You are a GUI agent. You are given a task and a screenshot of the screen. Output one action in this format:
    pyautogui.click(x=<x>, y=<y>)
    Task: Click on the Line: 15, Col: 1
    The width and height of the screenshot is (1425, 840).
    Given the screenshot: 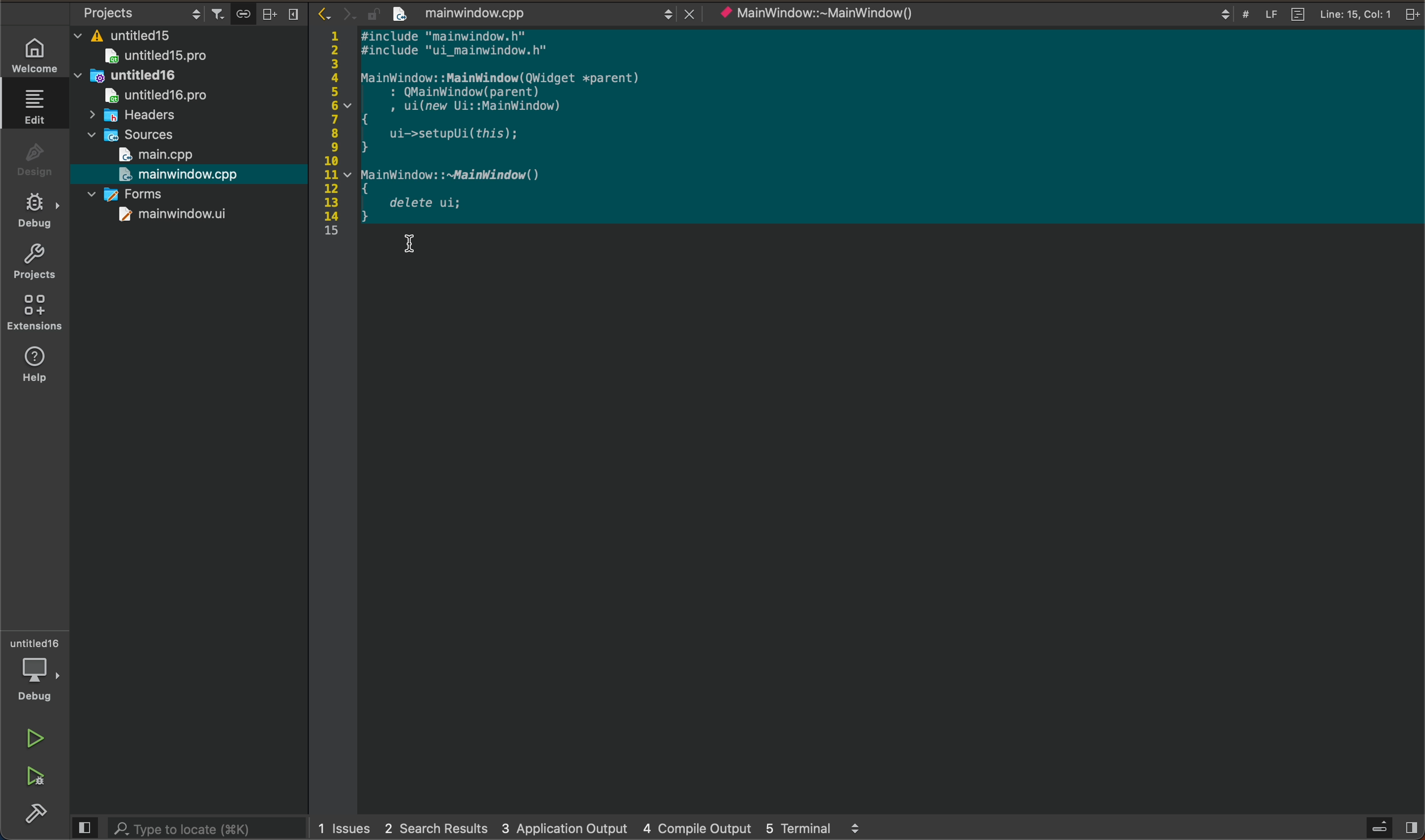 What is the action you would take?
    pyautogui.click(x=1345, y=14)
    